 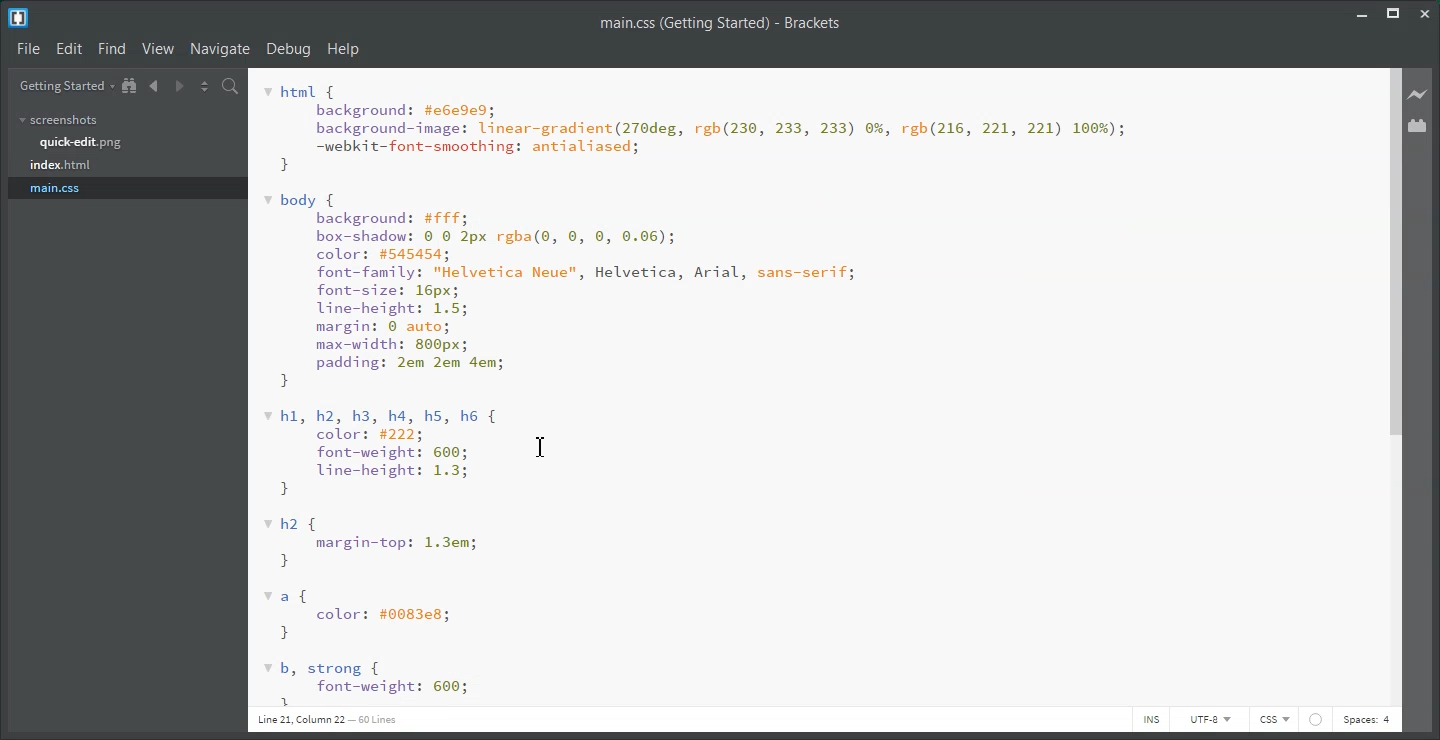 I want to click on Help, so click(x=343, y=49).